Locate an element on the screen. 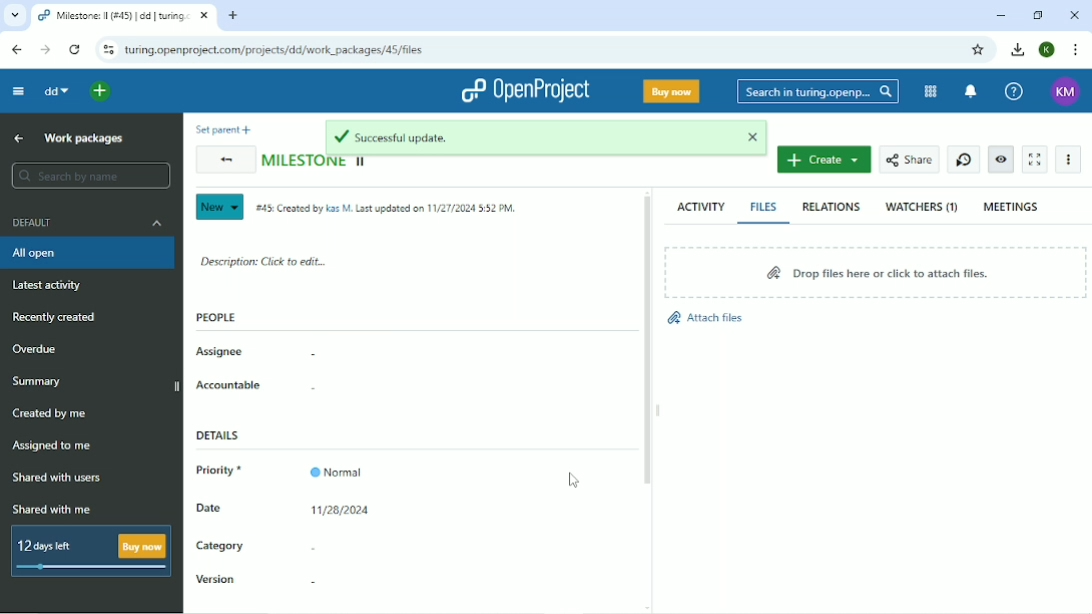  Files is located at coordinates (764, 206).